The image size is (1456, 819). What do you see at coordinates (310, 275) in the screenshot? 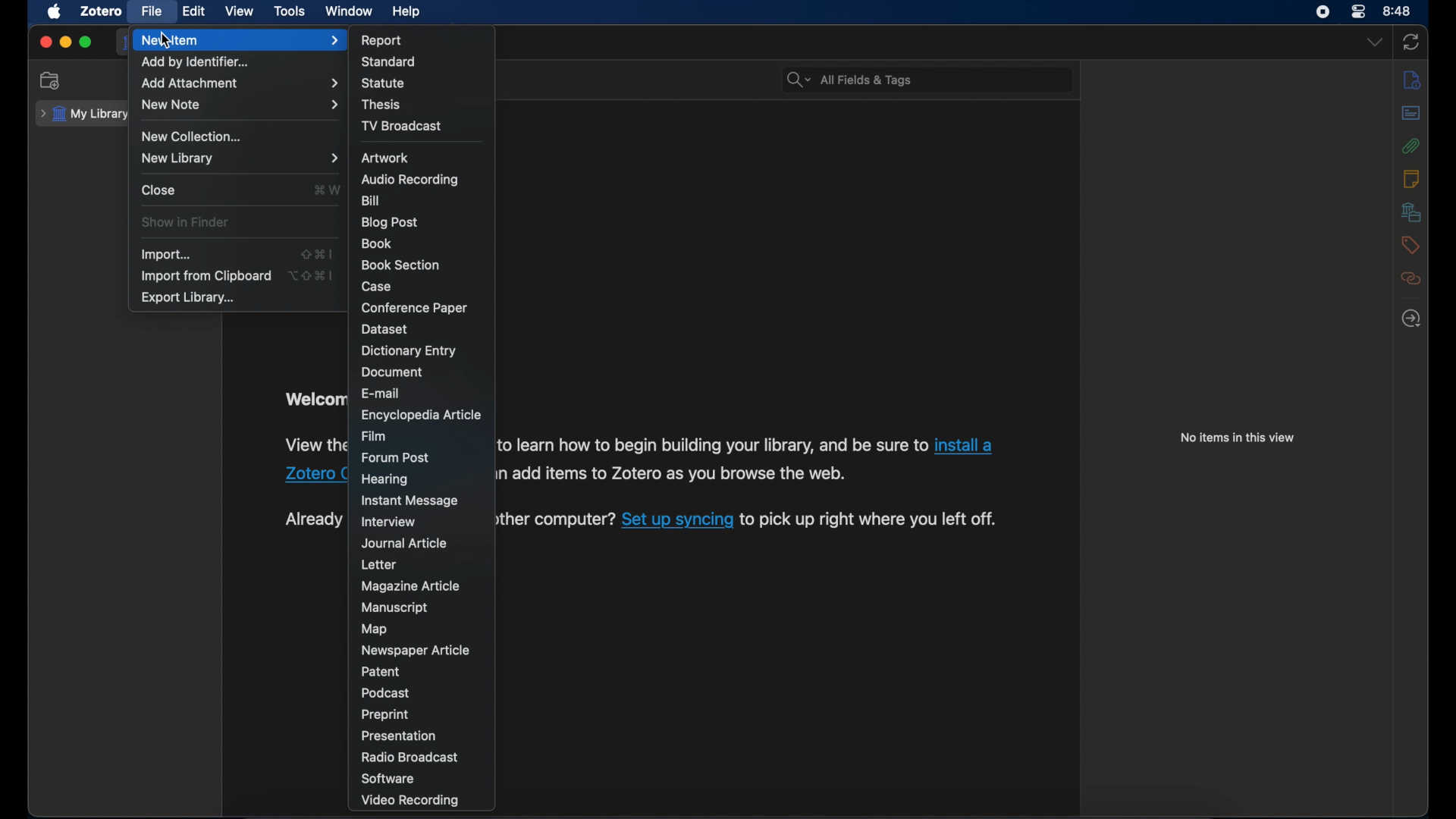
I see `shortcut` at bounding box center [310, 275].